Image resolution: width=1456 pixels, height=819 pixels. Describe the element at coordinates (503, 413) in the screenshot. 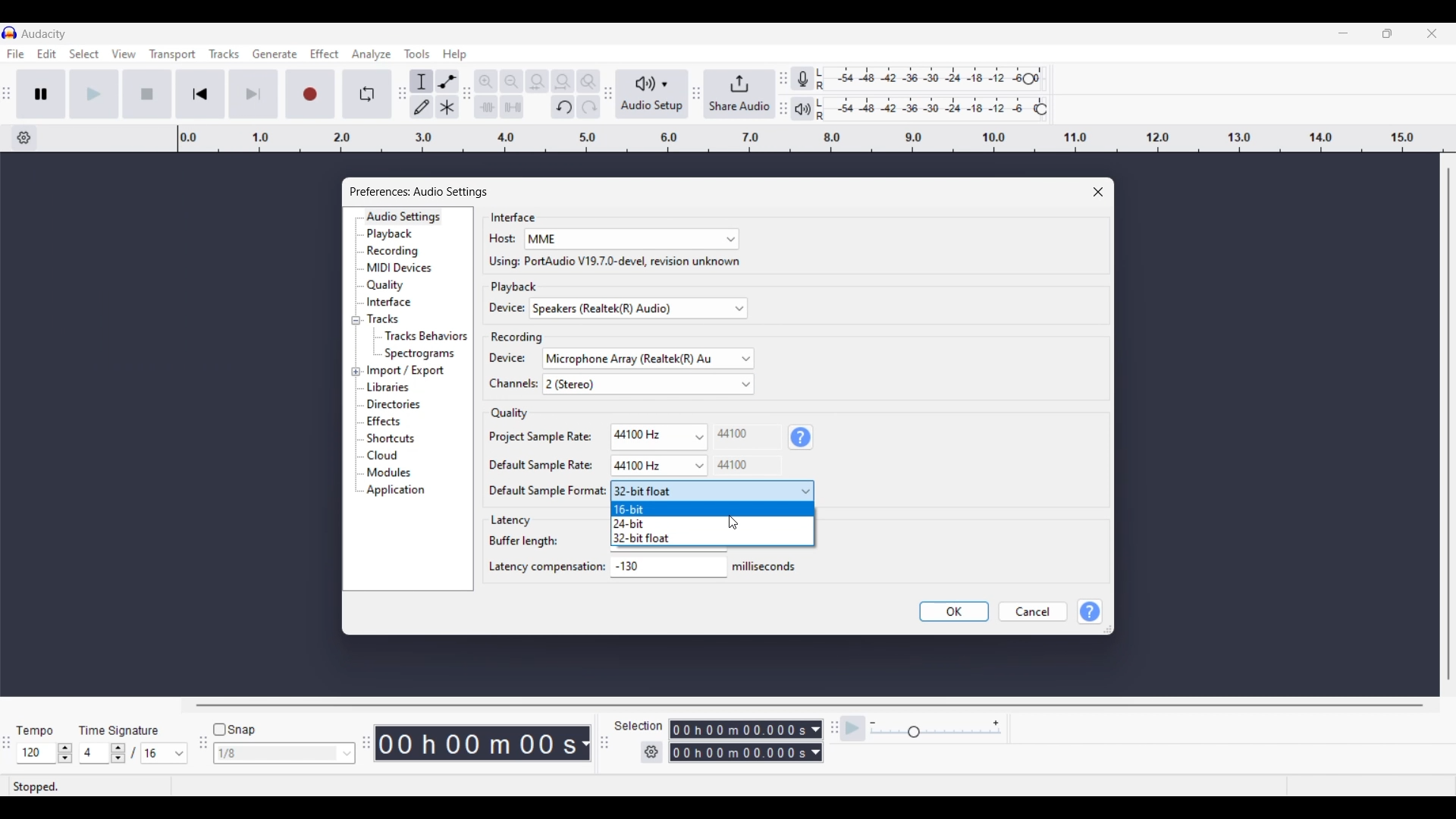

I see `| Quality` at that location.